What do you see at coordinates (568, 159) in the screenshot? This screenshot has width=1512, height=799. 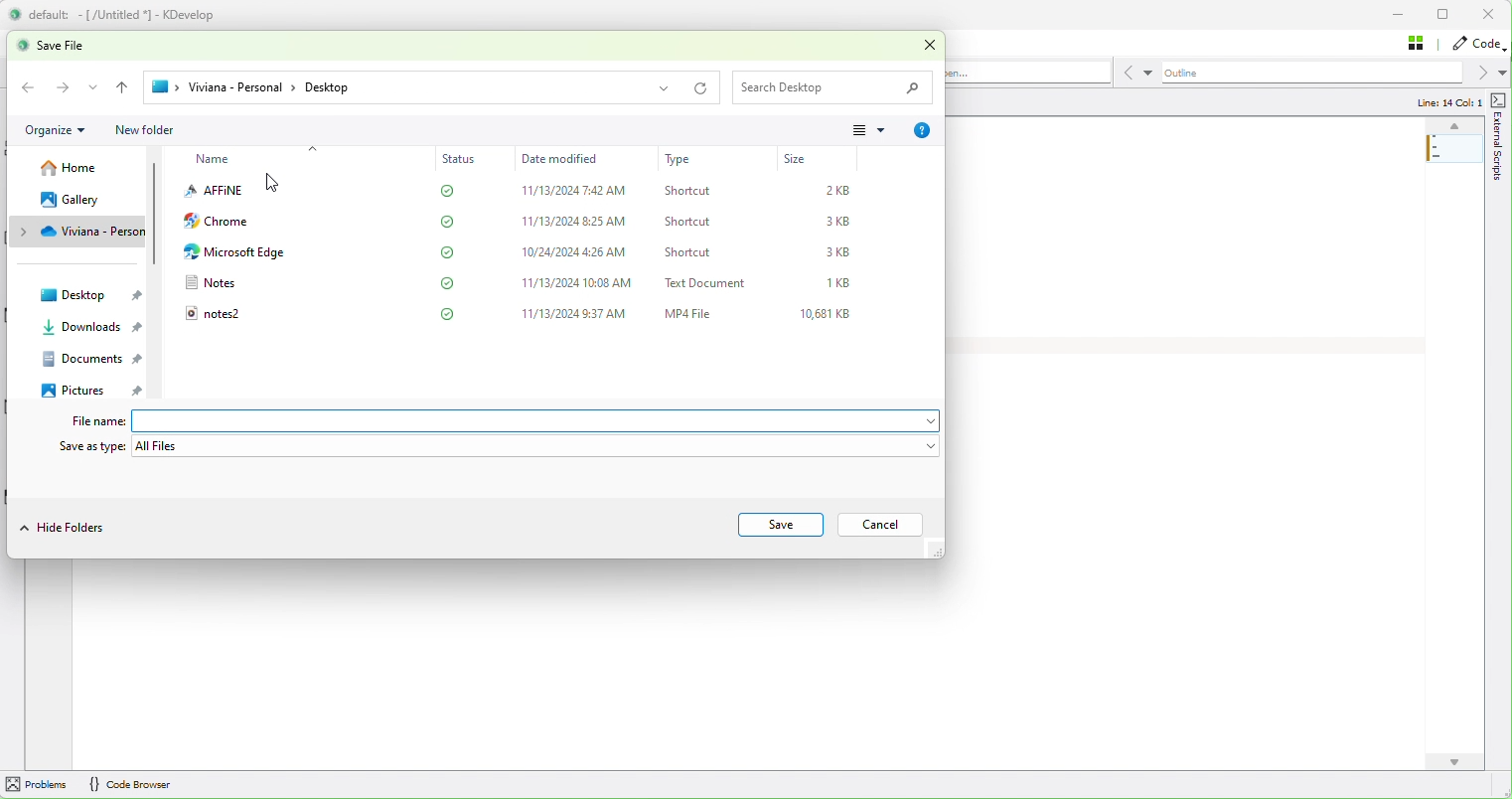 I see `Date modified` at bounding box center [568, 159].